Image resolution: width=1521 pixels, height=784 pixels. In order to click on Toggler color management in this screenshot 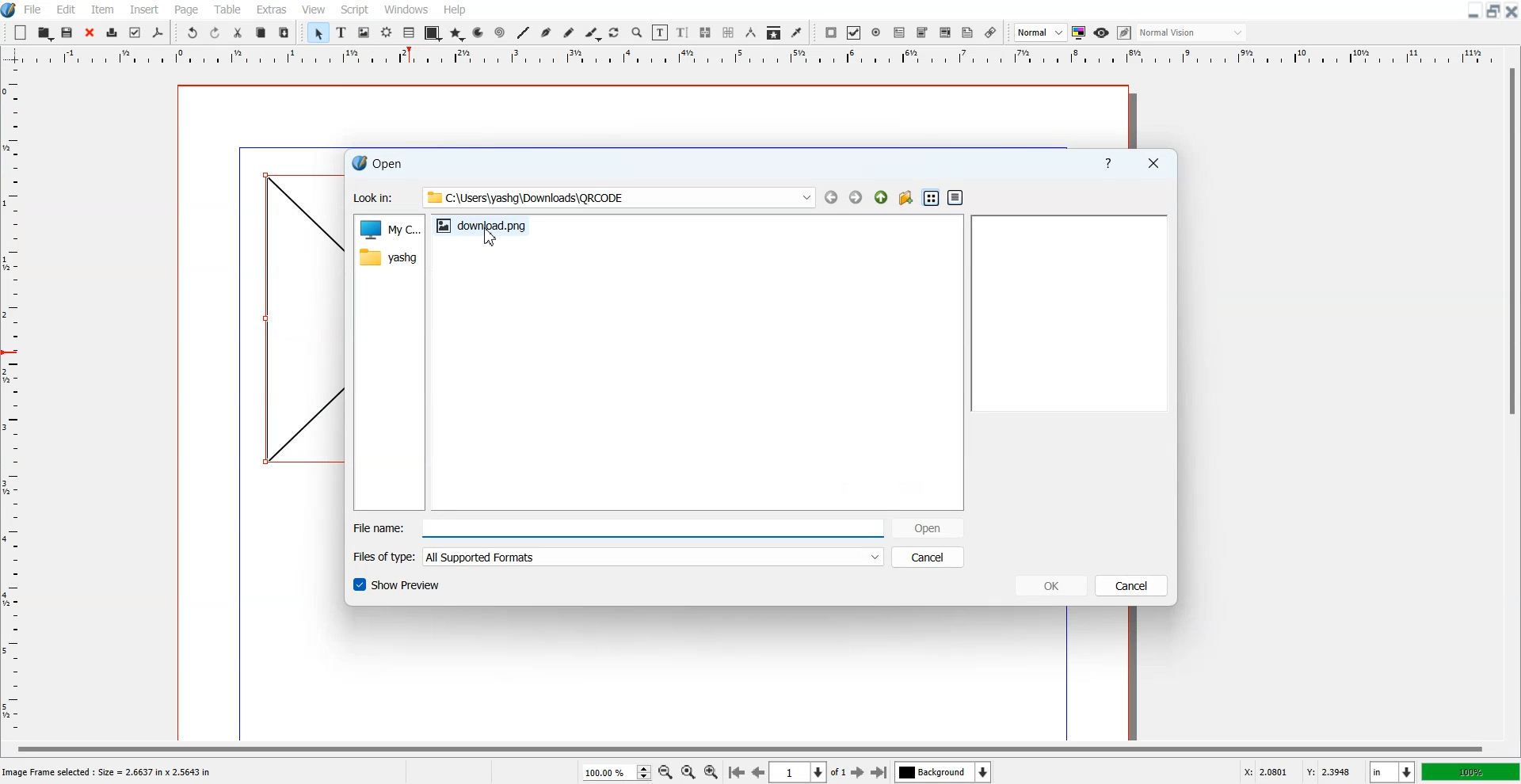, I will do `click(1079, 32)`.